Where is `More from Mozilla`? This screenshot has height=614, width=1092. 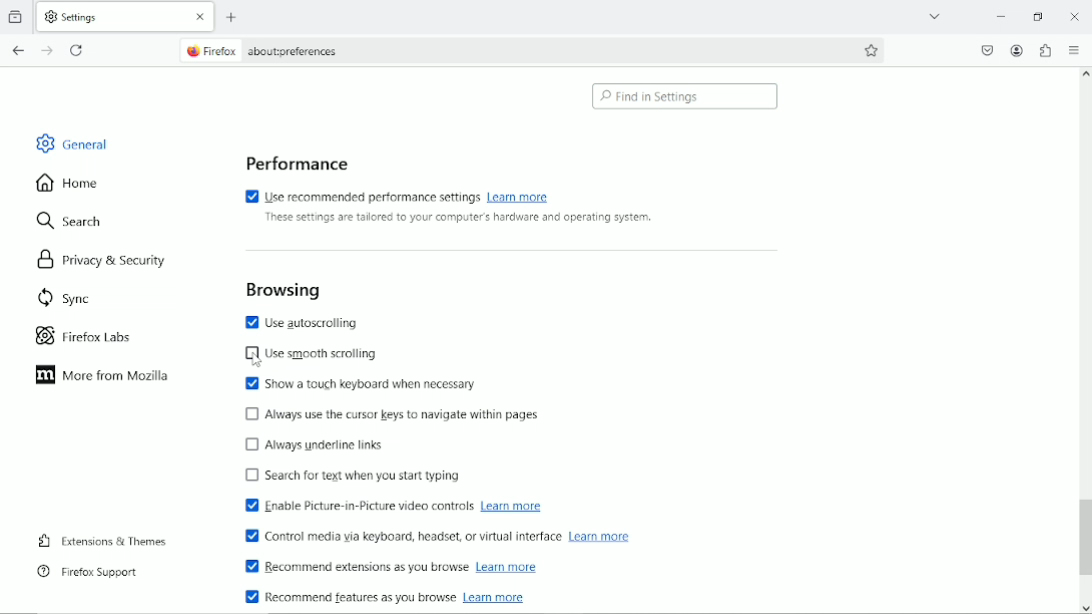 More from Mozilla is located at coordinates (100, 376).